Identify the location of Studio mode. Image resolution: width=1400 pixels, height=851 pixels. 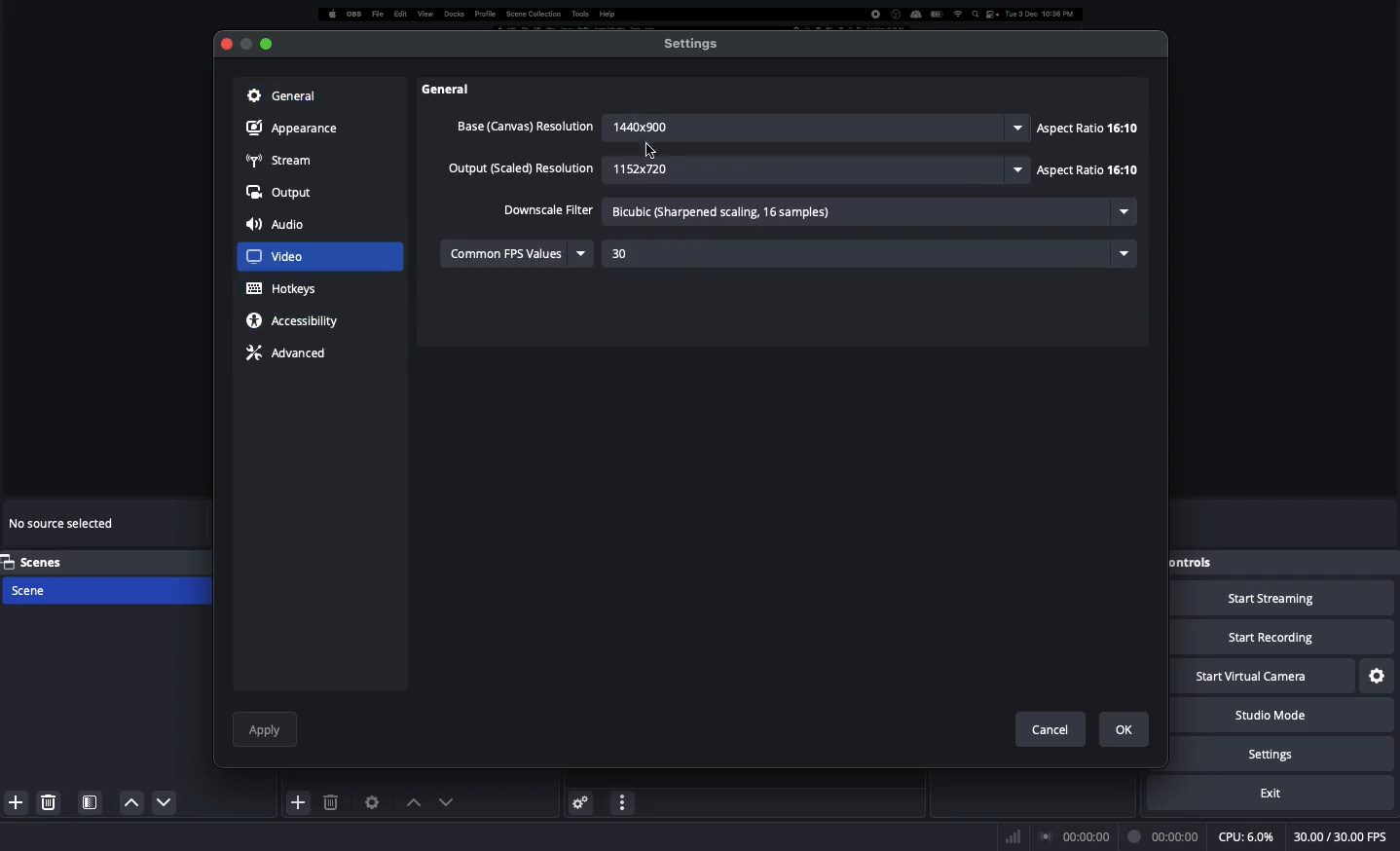
(1291, 716).